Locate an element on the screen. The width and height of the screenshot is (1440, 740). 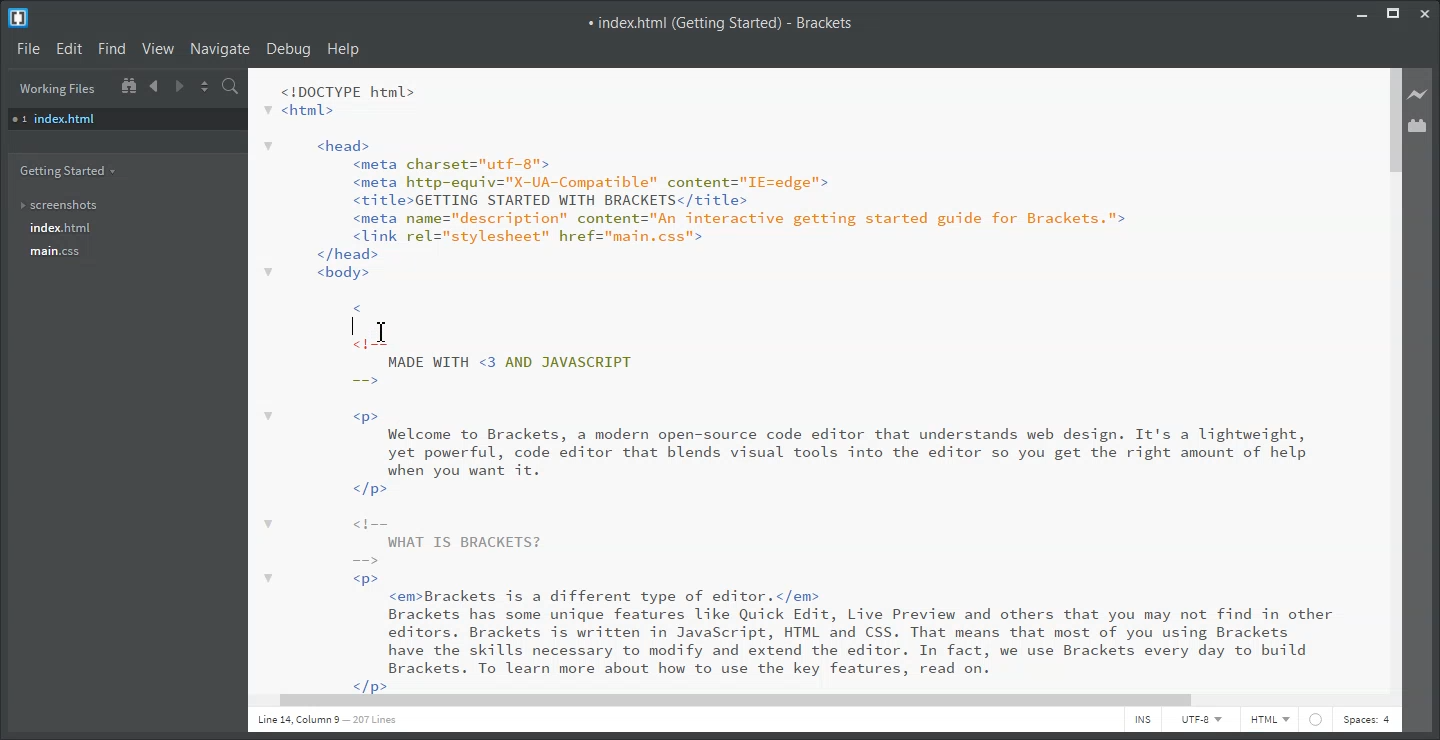
Show in the File Tree is located at coordinates (129, 86).